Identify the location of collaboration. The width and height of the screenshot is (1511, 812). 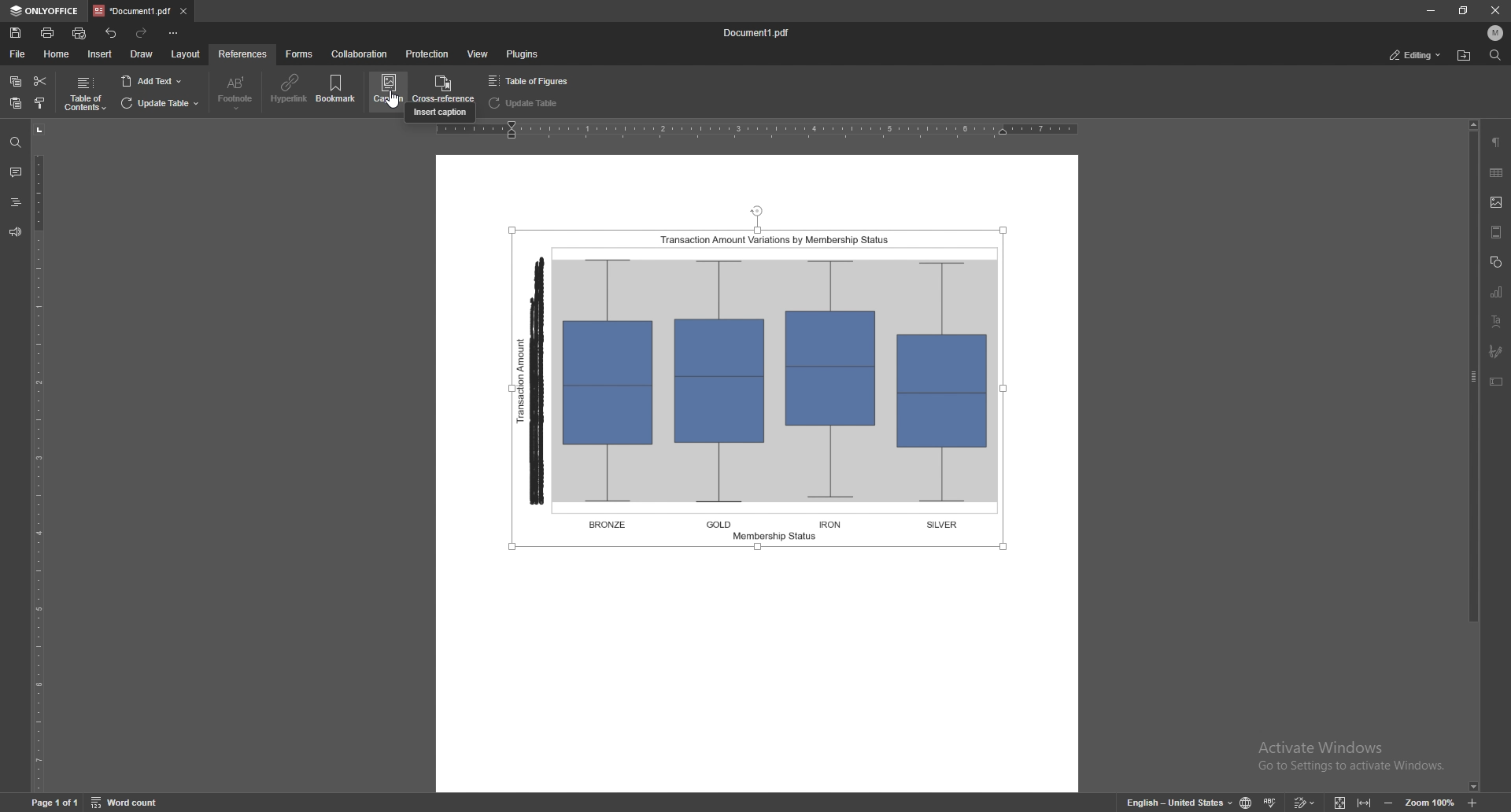
(360, 54).